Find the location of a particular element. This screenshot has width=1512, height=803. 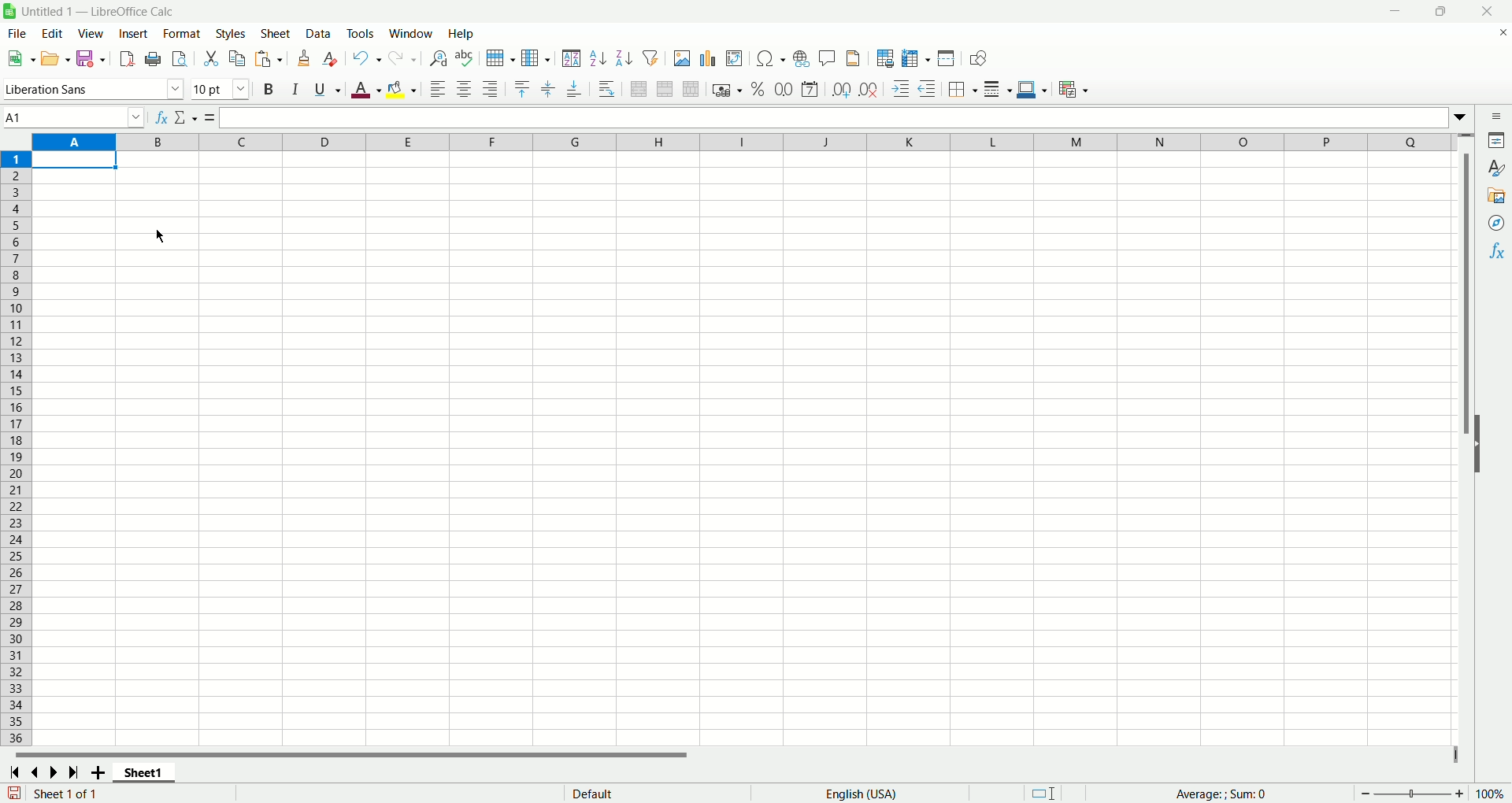

average is located at coordinates (1228, 794).